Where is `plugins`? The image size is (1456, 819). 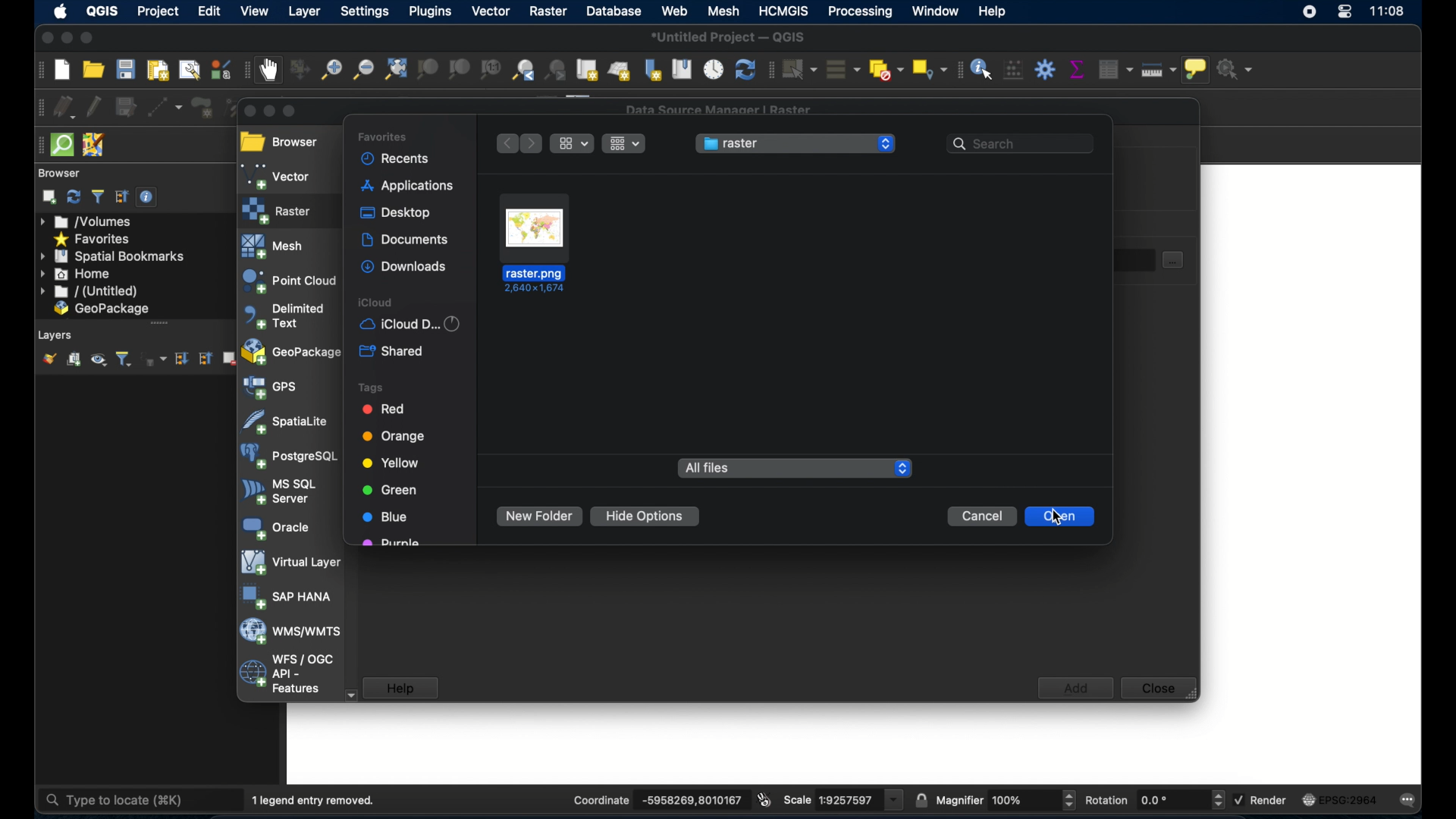
plugins is located at coordinates (429, 12).